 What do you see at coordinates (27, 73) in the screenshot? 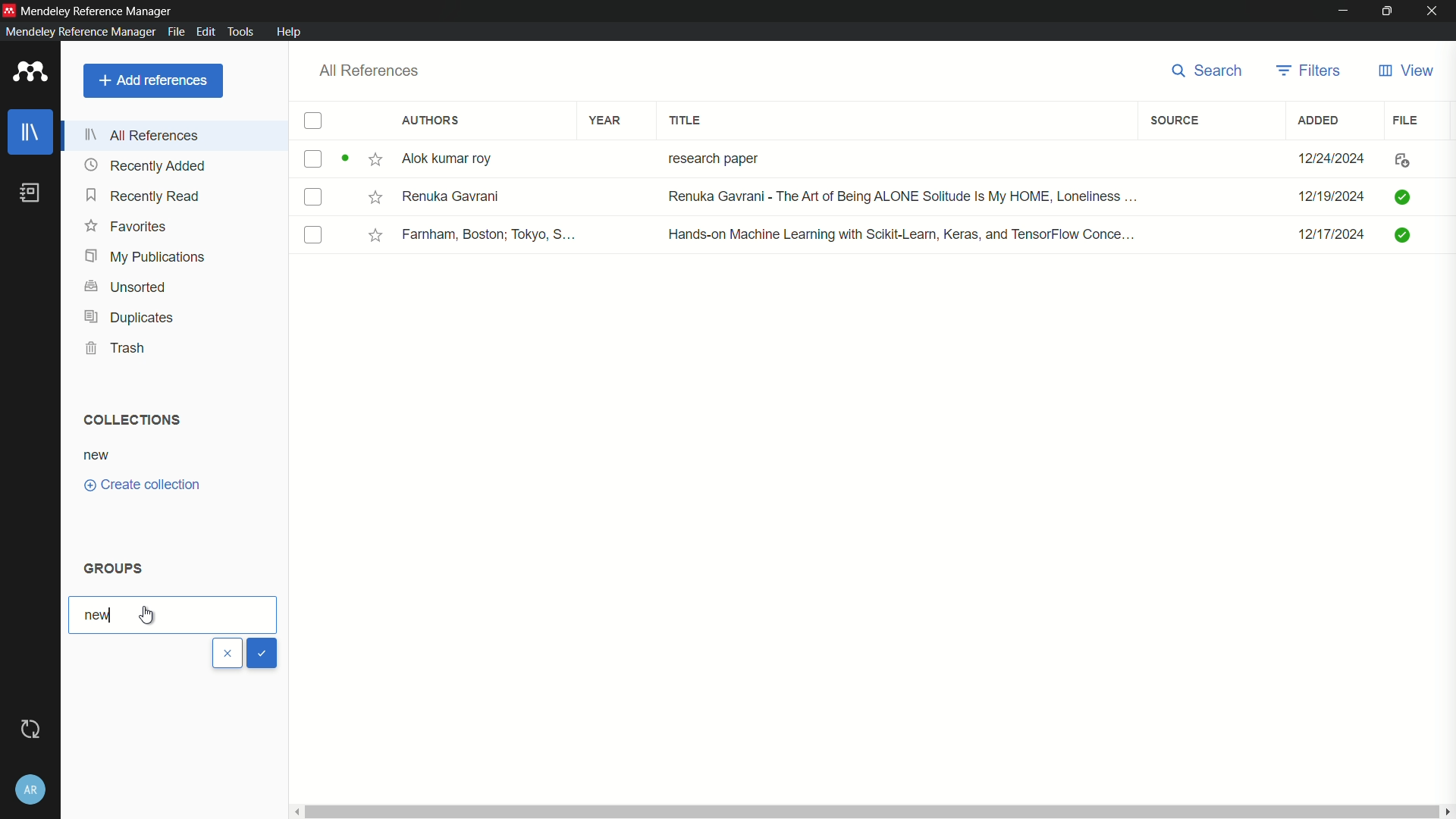
I see `app icon` at bounding box center [27, 73].